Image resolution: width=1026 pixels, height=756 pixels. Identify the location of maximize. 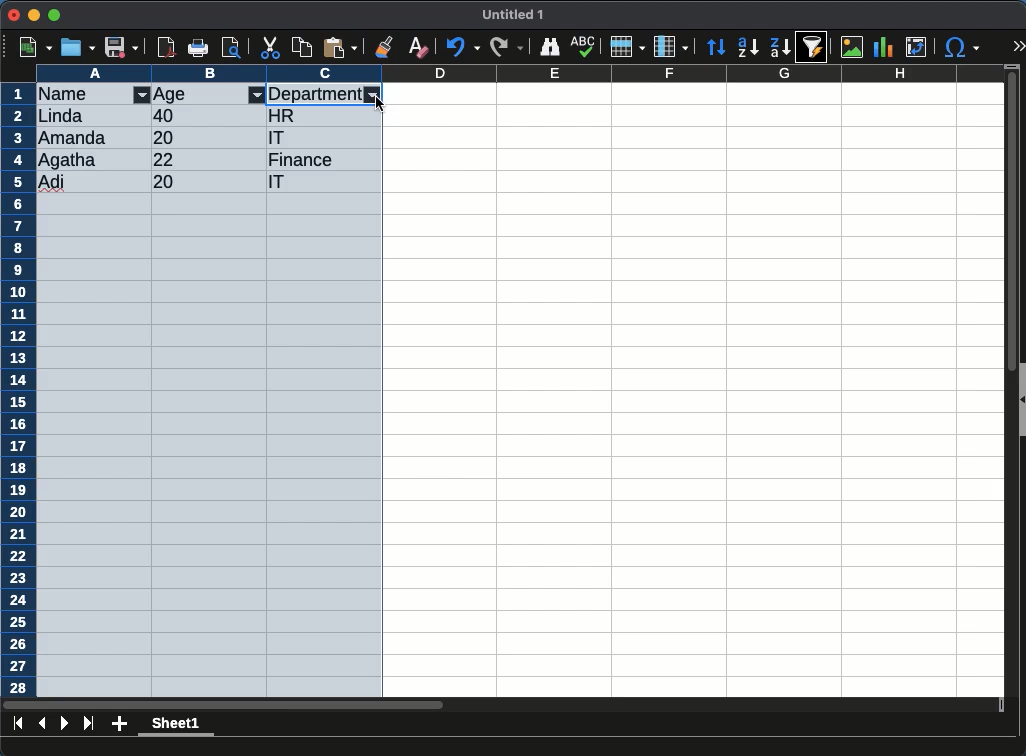
(56, 14).